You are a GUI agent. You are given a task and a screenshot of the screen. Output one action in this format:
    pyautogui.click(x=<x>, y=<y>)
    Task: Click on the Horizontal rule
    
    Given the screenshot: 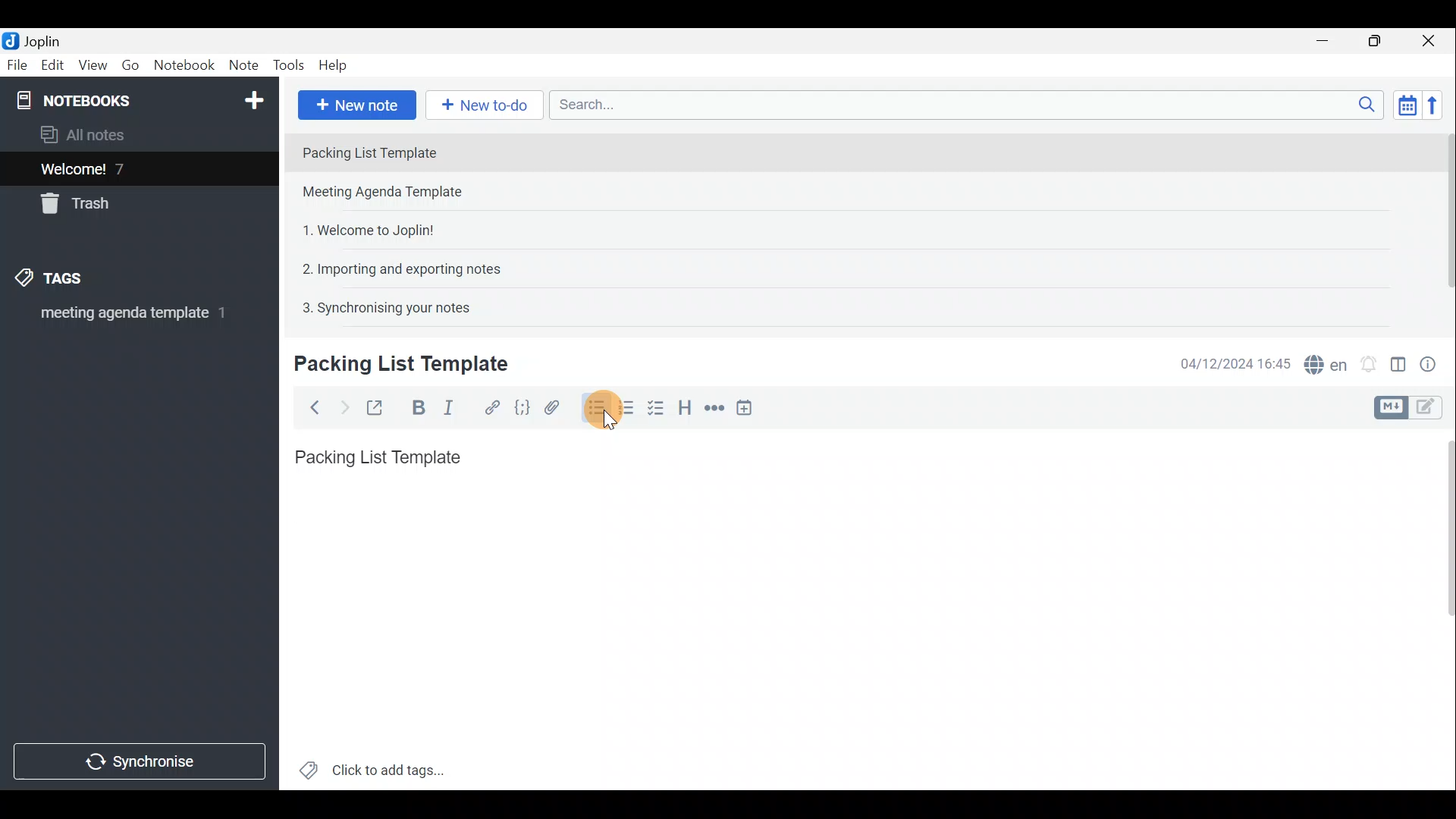 What is the action you would take?
    pyautogui.click(x=712, y=408)
    